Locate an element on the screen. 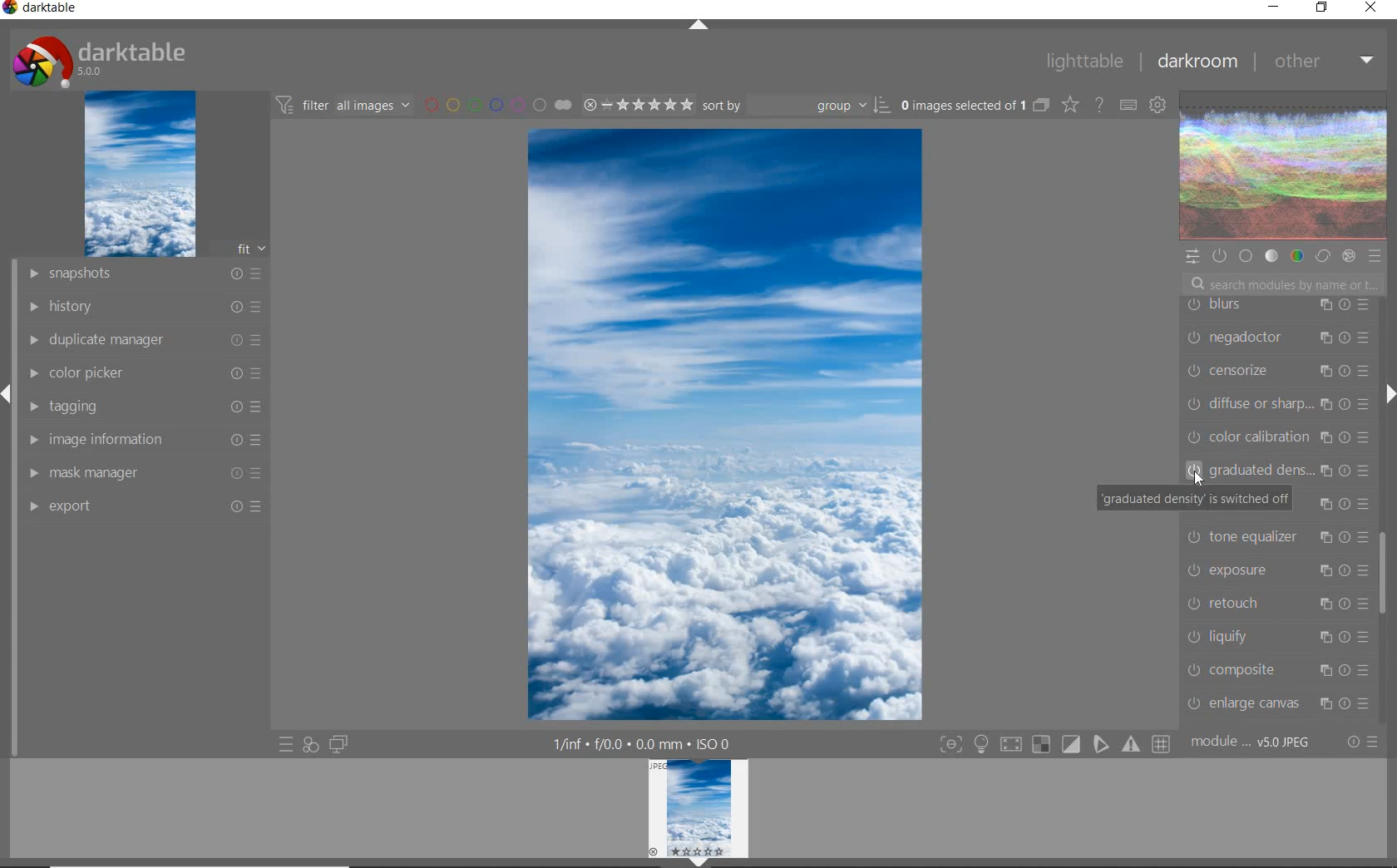  color calibration is located at coordinates (1279, 437).